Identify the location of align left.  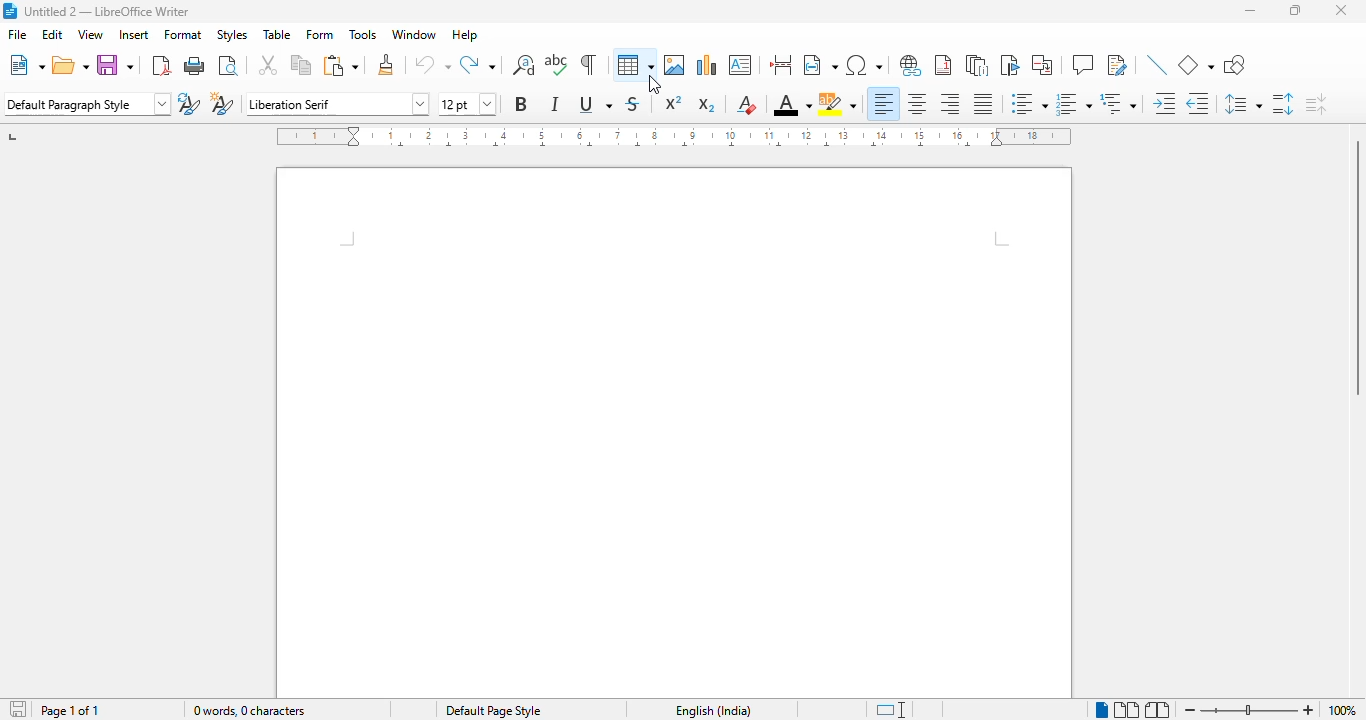
(883, 104).